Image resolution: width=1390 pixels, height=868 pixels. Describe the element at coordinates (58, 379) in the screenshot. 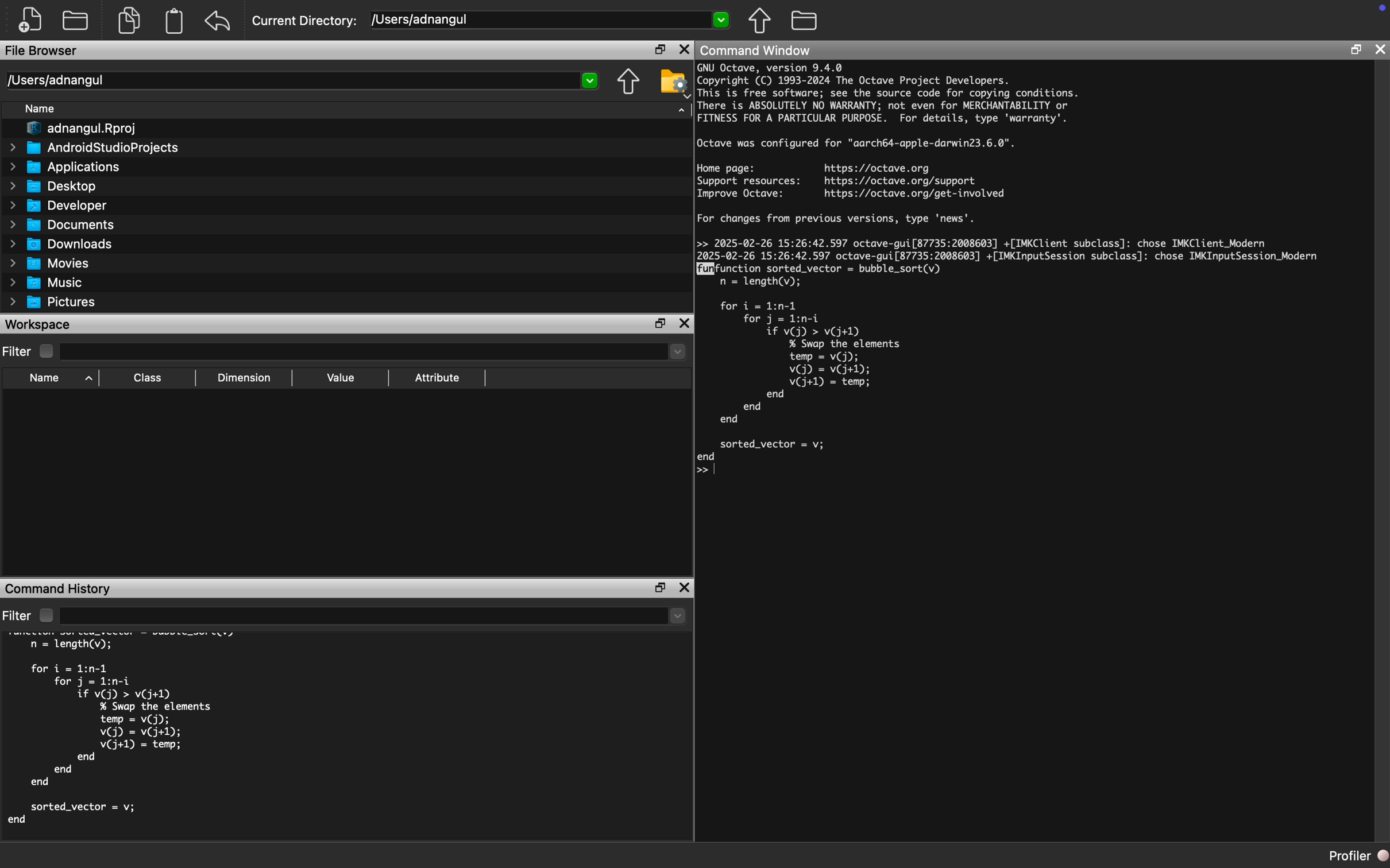

I see `Name ` at that location.